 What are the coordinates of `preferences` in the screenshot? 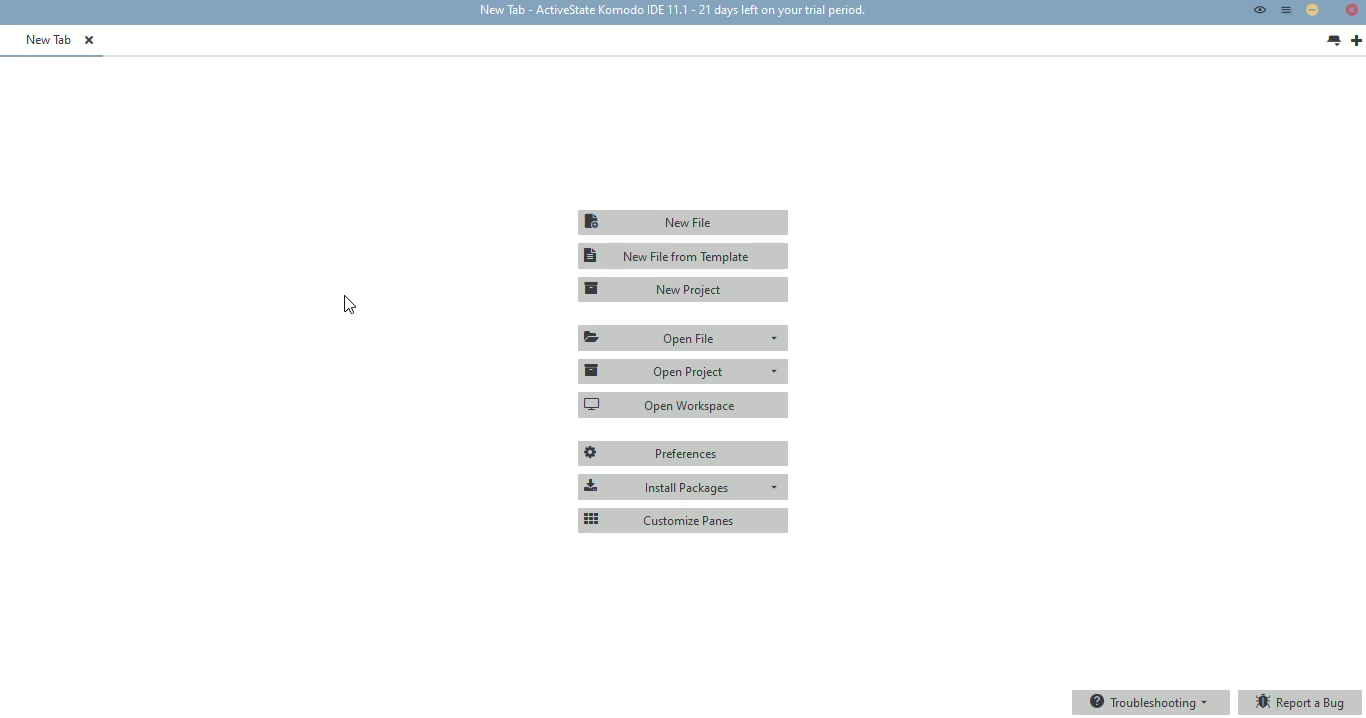 It's located at (683, 454).